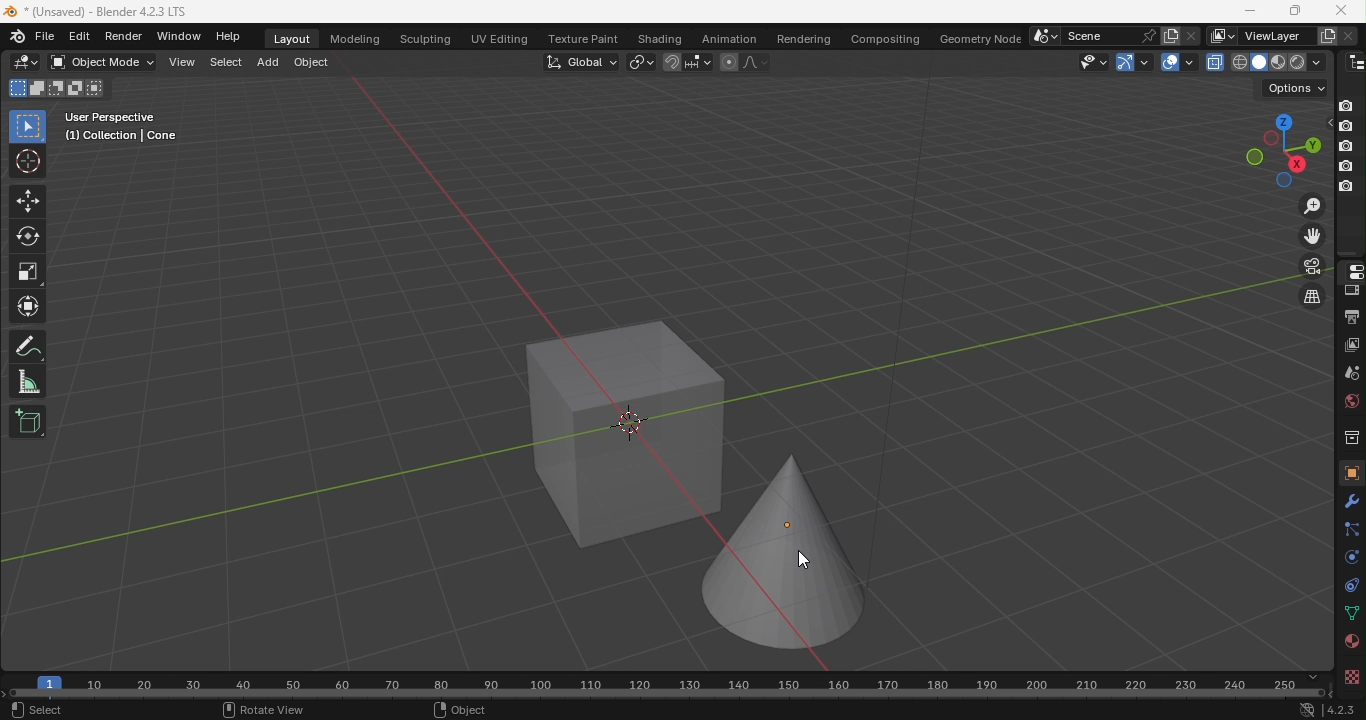  Describe the element at coordinates (669, 694) in the screenshot. I see `Horizontal scroll bar` at that location.